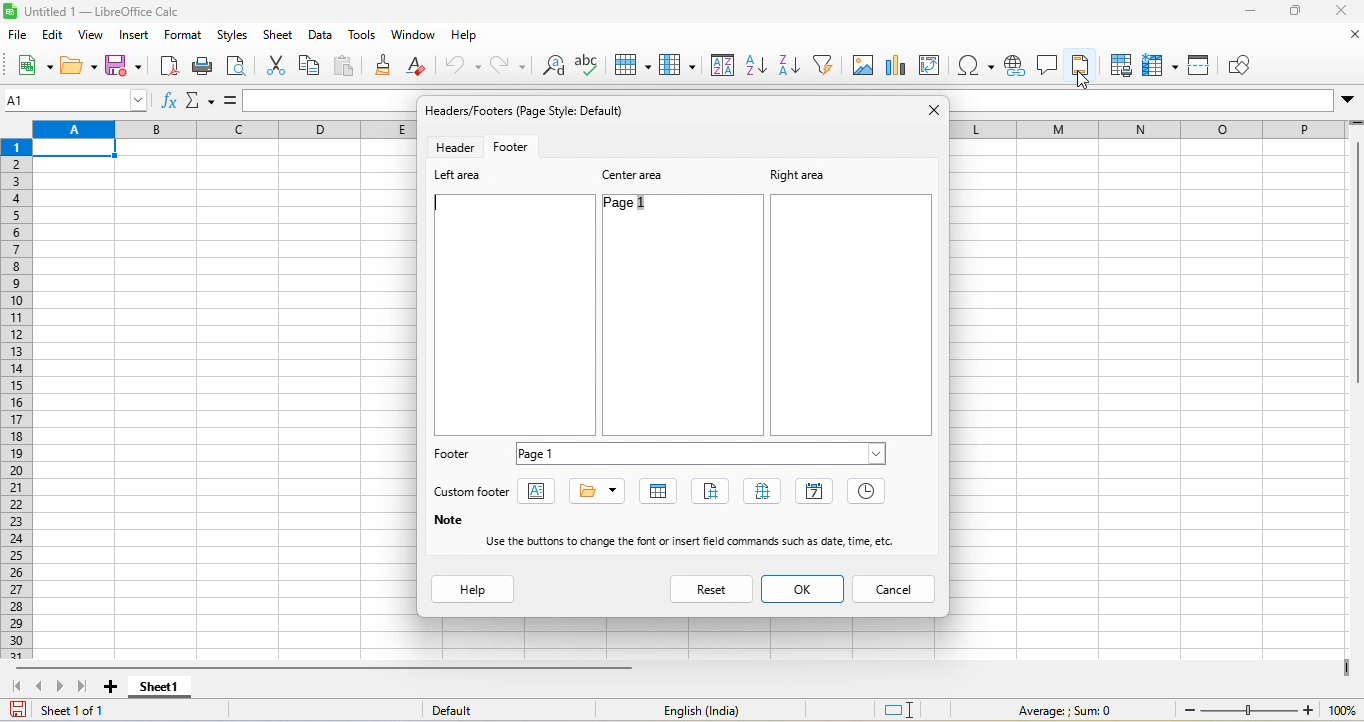 The image size is (1364, 722). I want to click on show draw function, so click(1247, 64).